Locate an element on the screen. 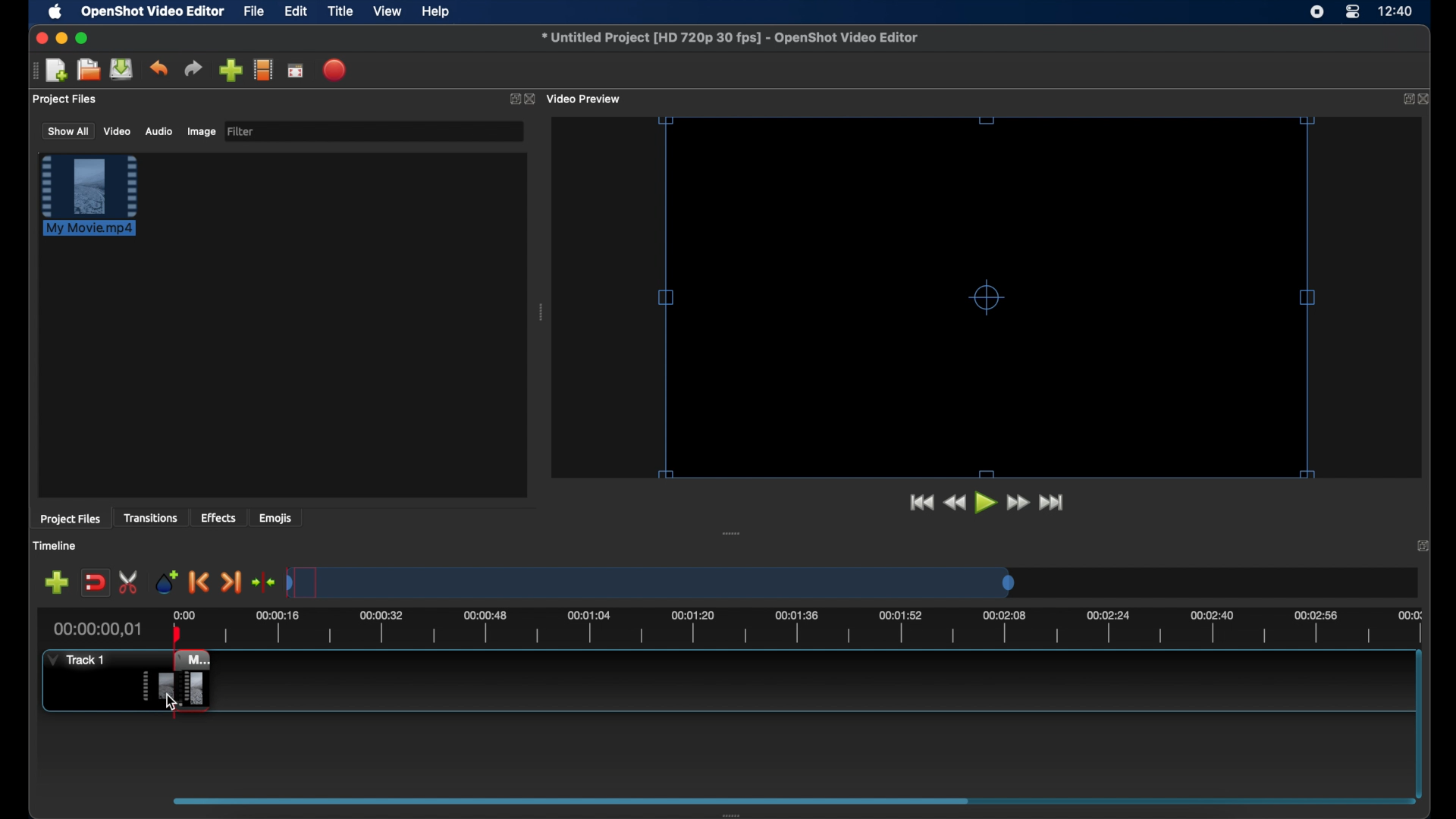 The image size is (1456, 819). current time indicator is located at coordinates (99, 629).